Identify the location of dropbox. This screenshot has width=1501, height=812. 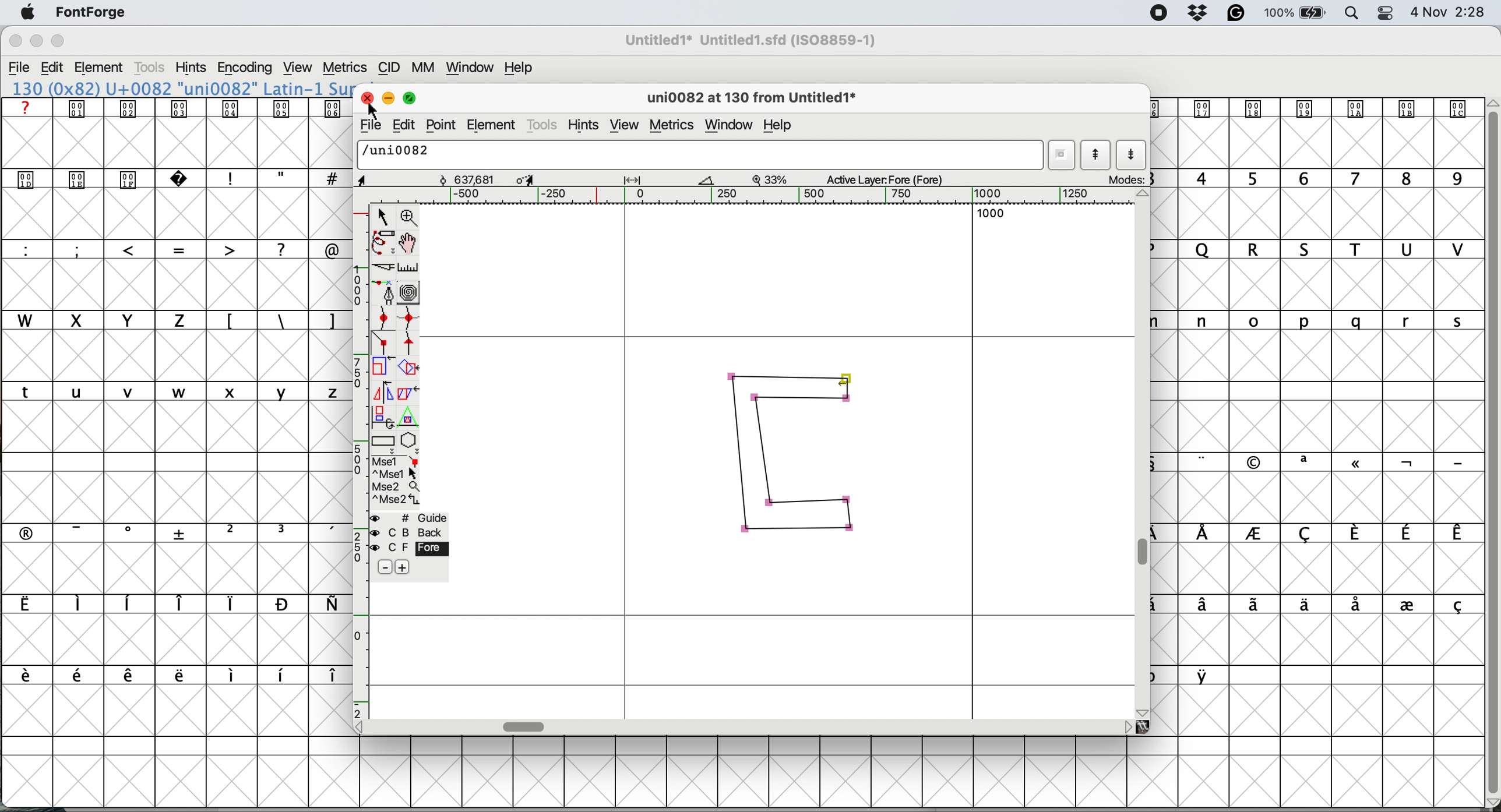
(1200, 12).